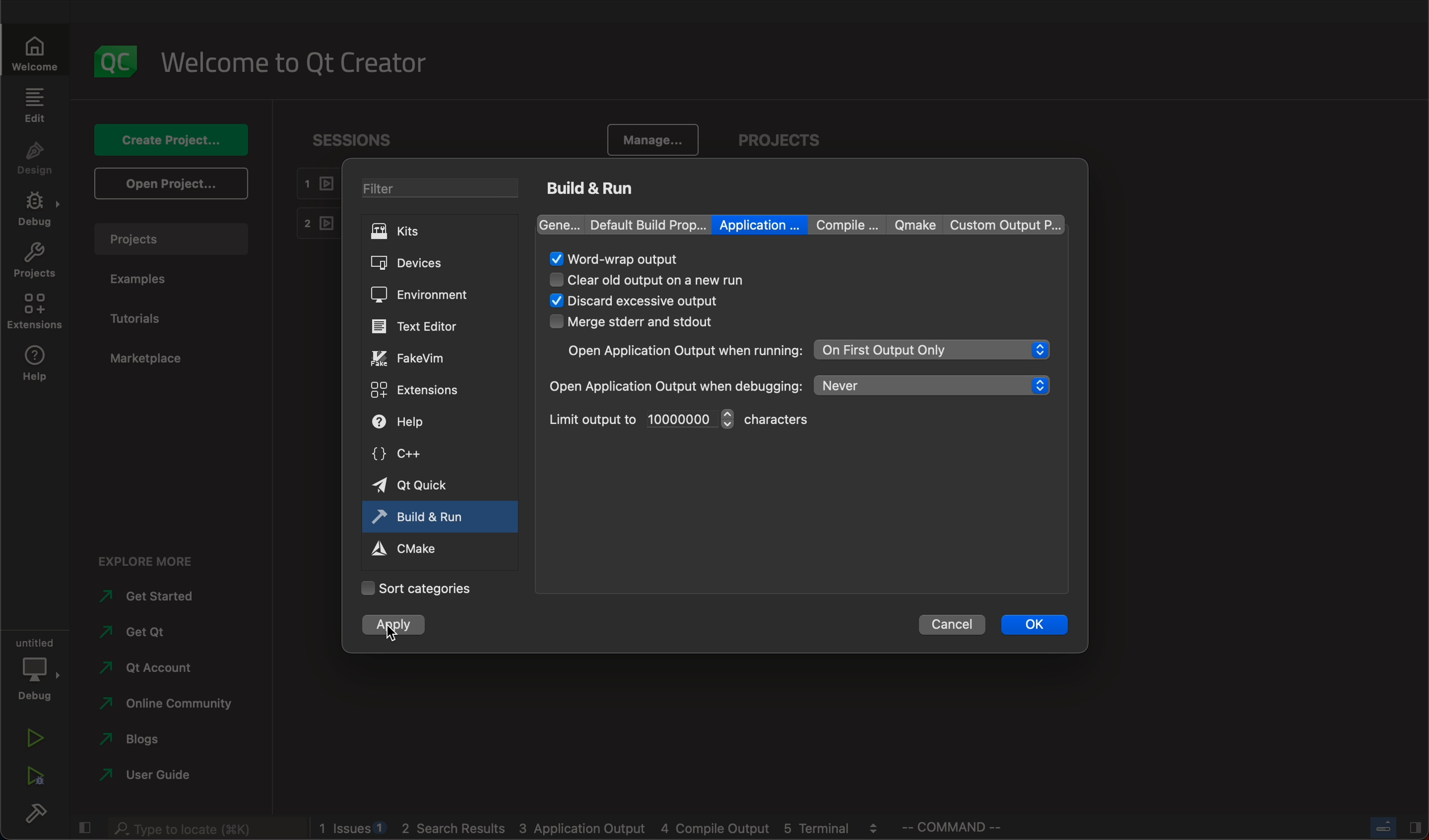  What do you see at coordinates (933, 350) in the screenshot?
I see `on first output` at bounding box center [933, 350].